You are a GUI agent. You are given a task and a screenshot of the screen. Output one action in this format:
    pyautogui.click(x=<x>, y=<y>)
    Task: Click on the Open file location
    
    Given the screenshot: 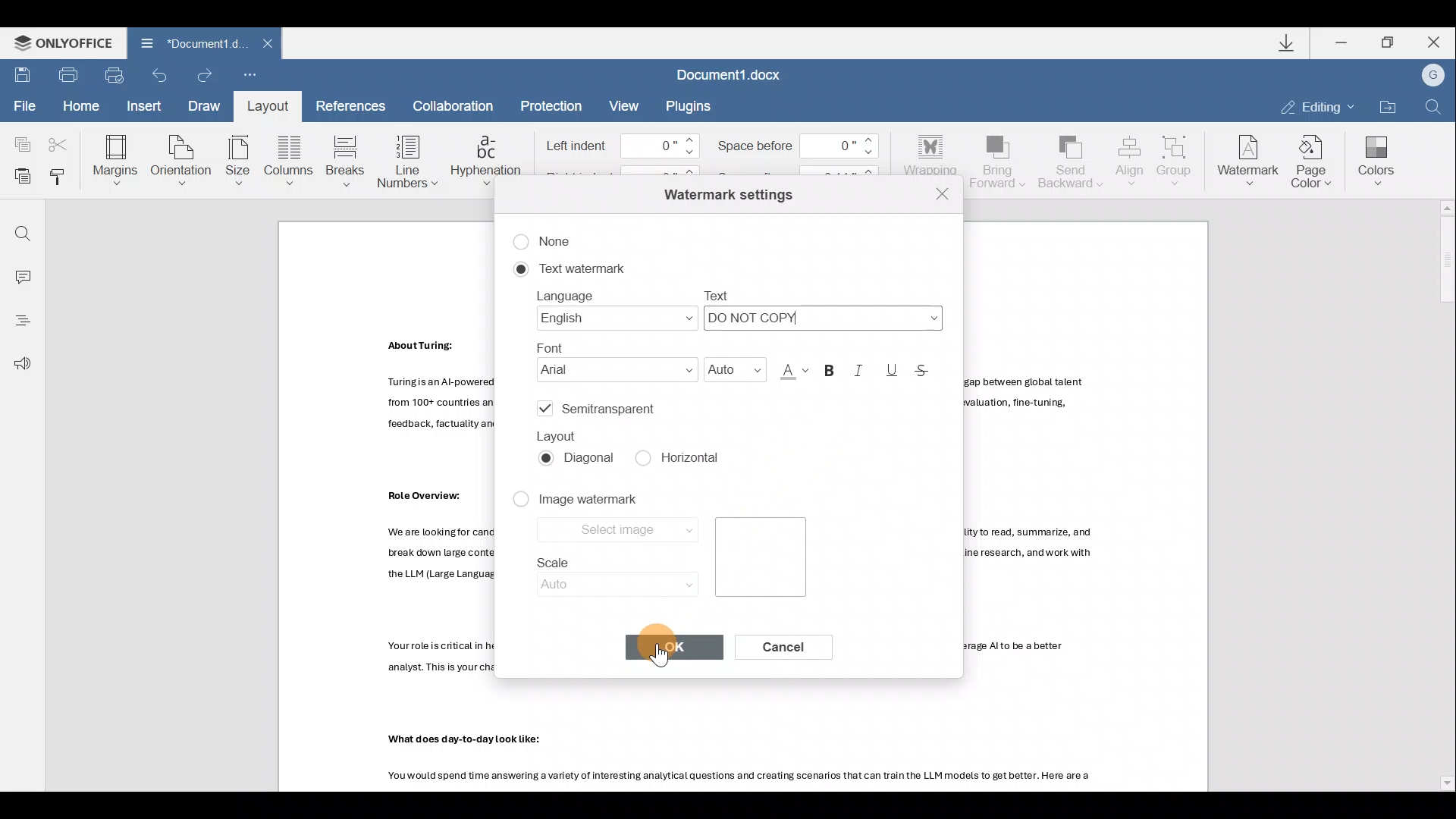 What is the action you would take?
    pyautogui.click(x=1385, y=102)
    